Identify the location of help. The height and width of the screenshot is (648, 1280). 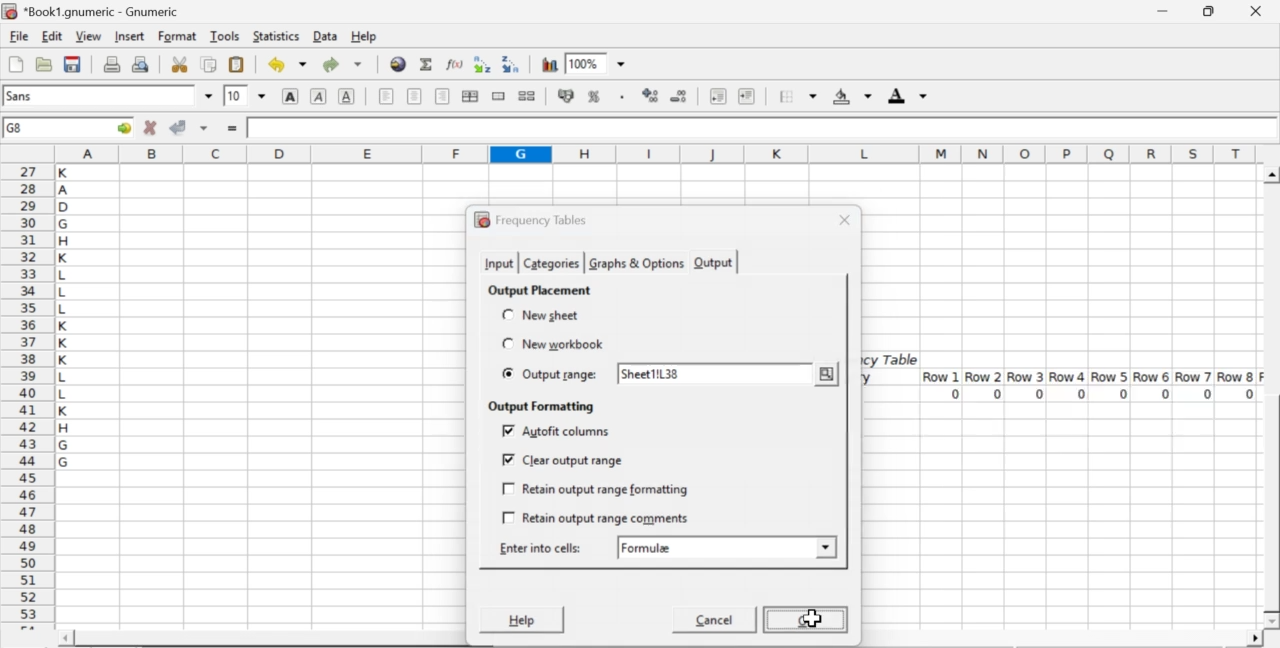
(366, 37).